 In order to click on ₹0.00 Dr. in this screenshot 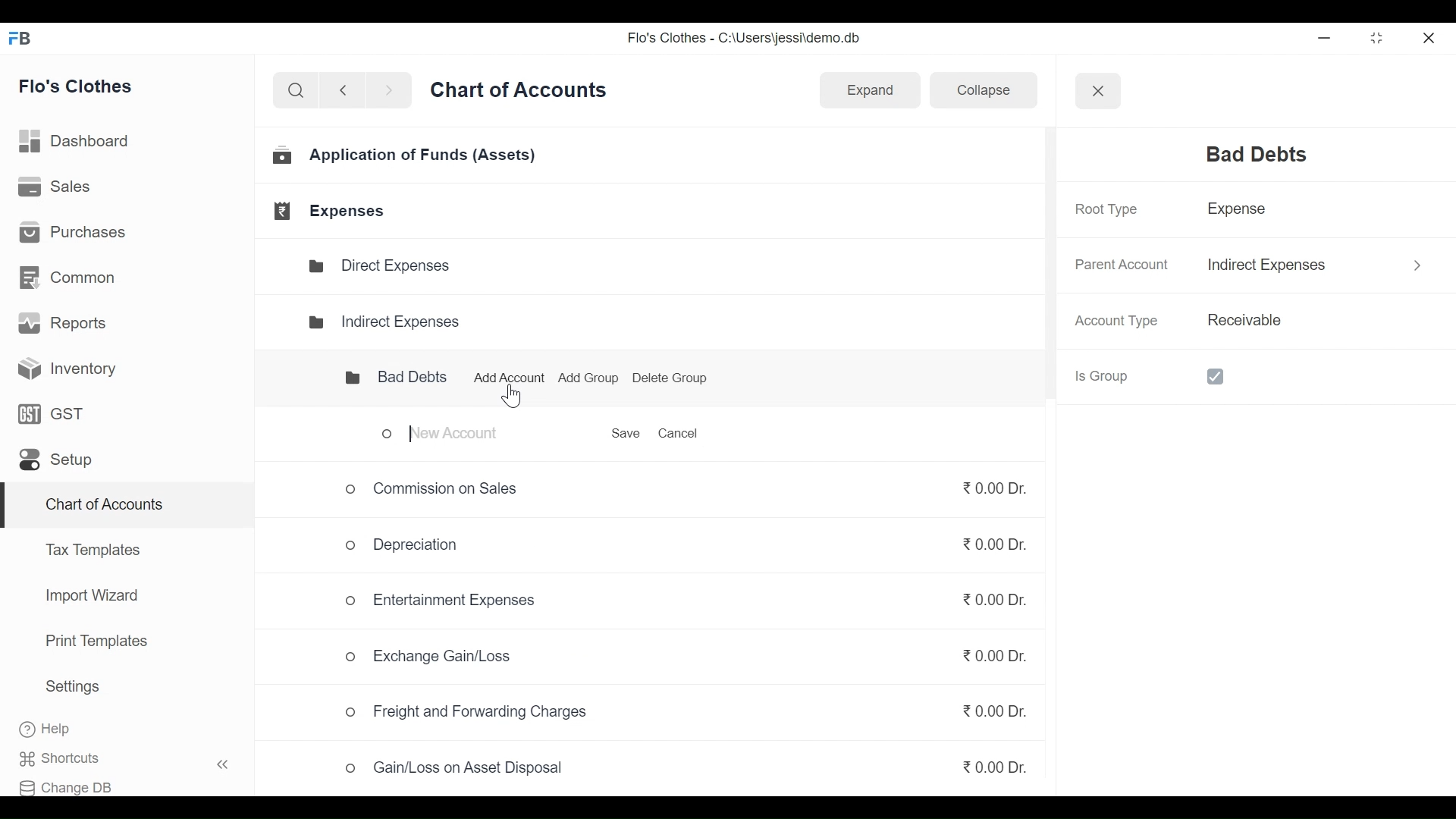, I will do `click(995, 764)`.